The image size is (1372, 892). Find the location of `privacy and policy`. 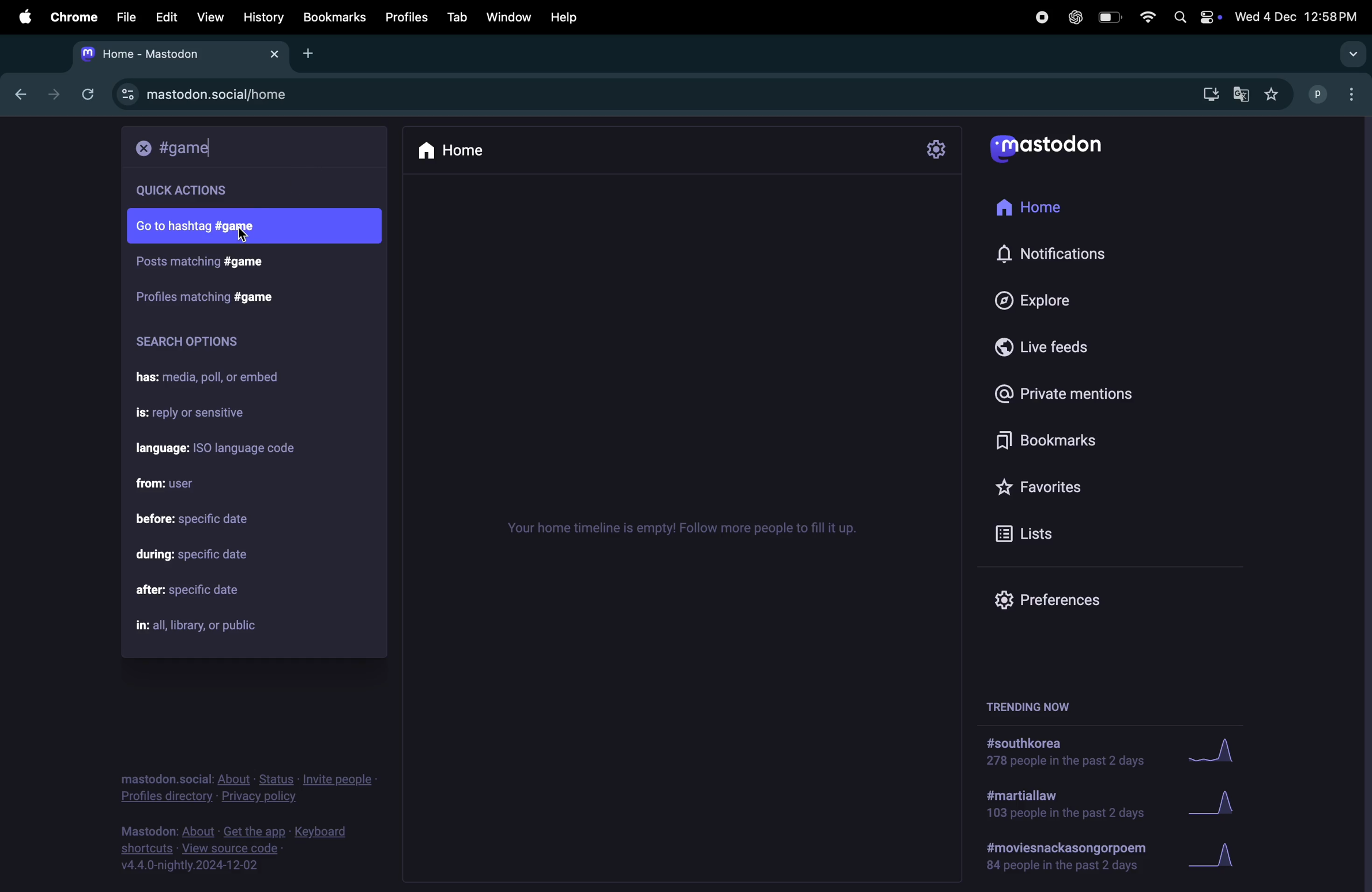

privacy and policy is located at coordinates (251, 788).